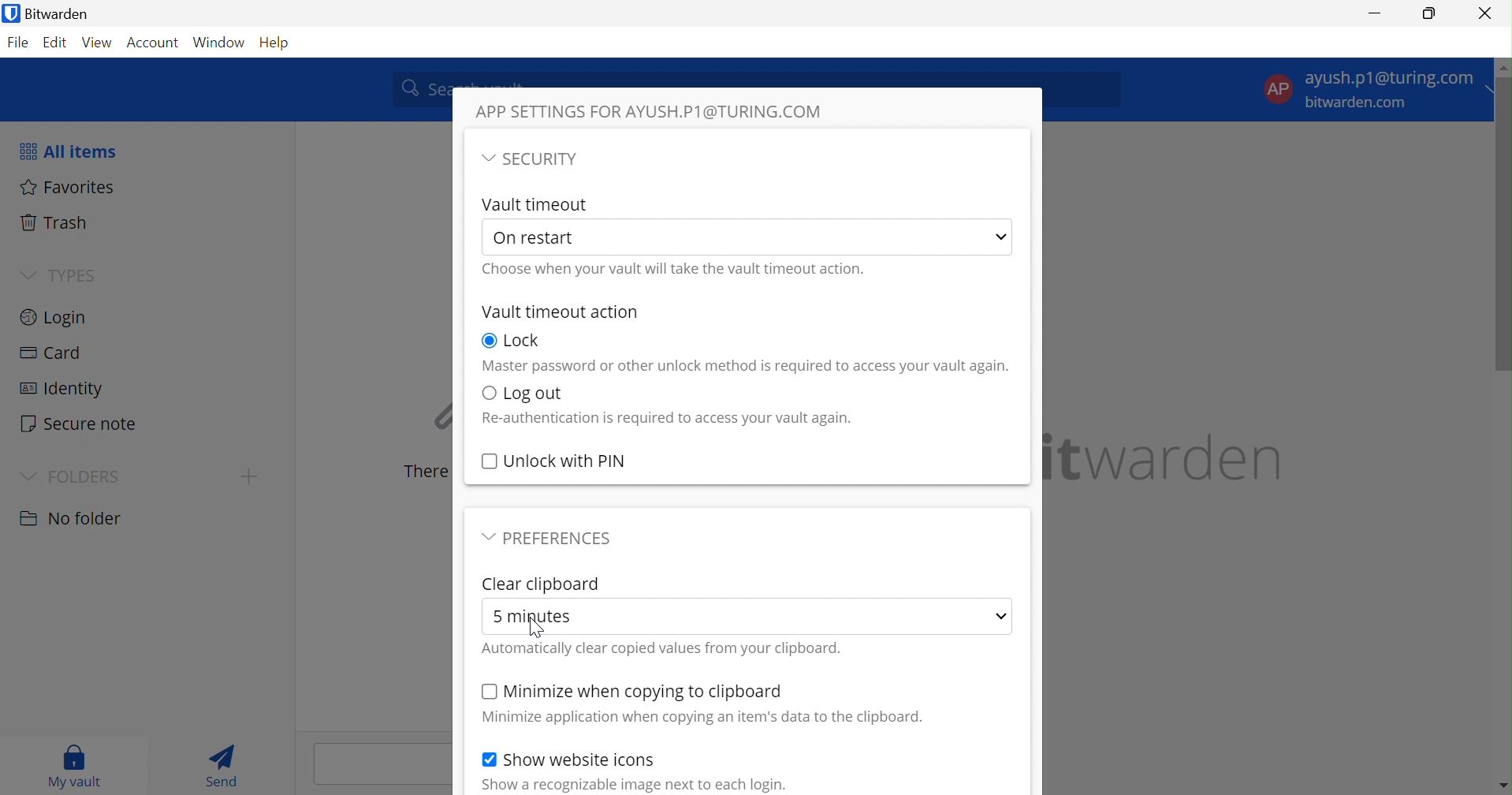 The height and width of the screenshot is (795, 1512). What do you see at coordinates (248, 476) in the screenshot?
I see `create folder` at bounding box center [248, 476].